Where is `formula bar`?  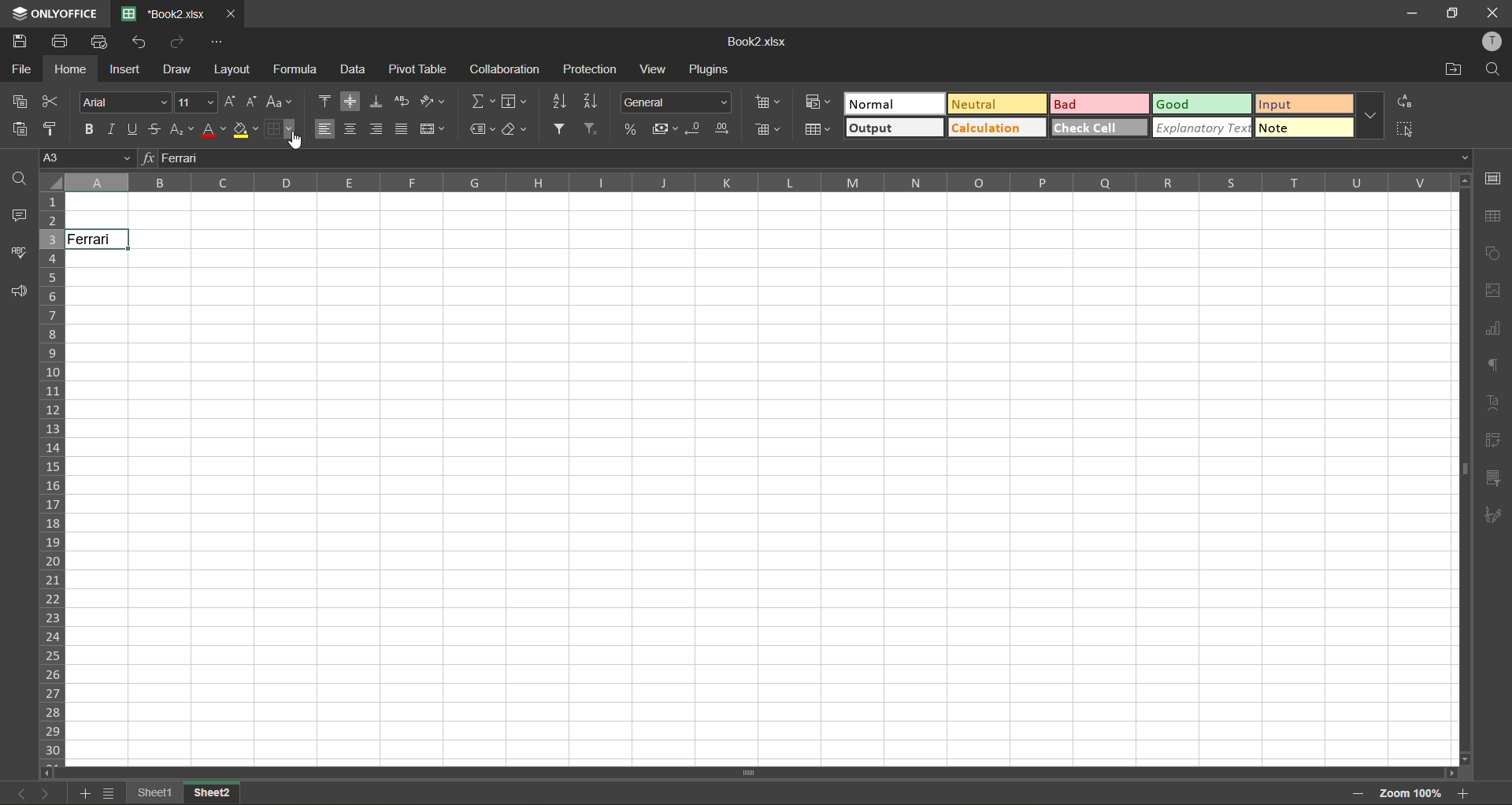 formula bar is located at coordinates (813, 158).